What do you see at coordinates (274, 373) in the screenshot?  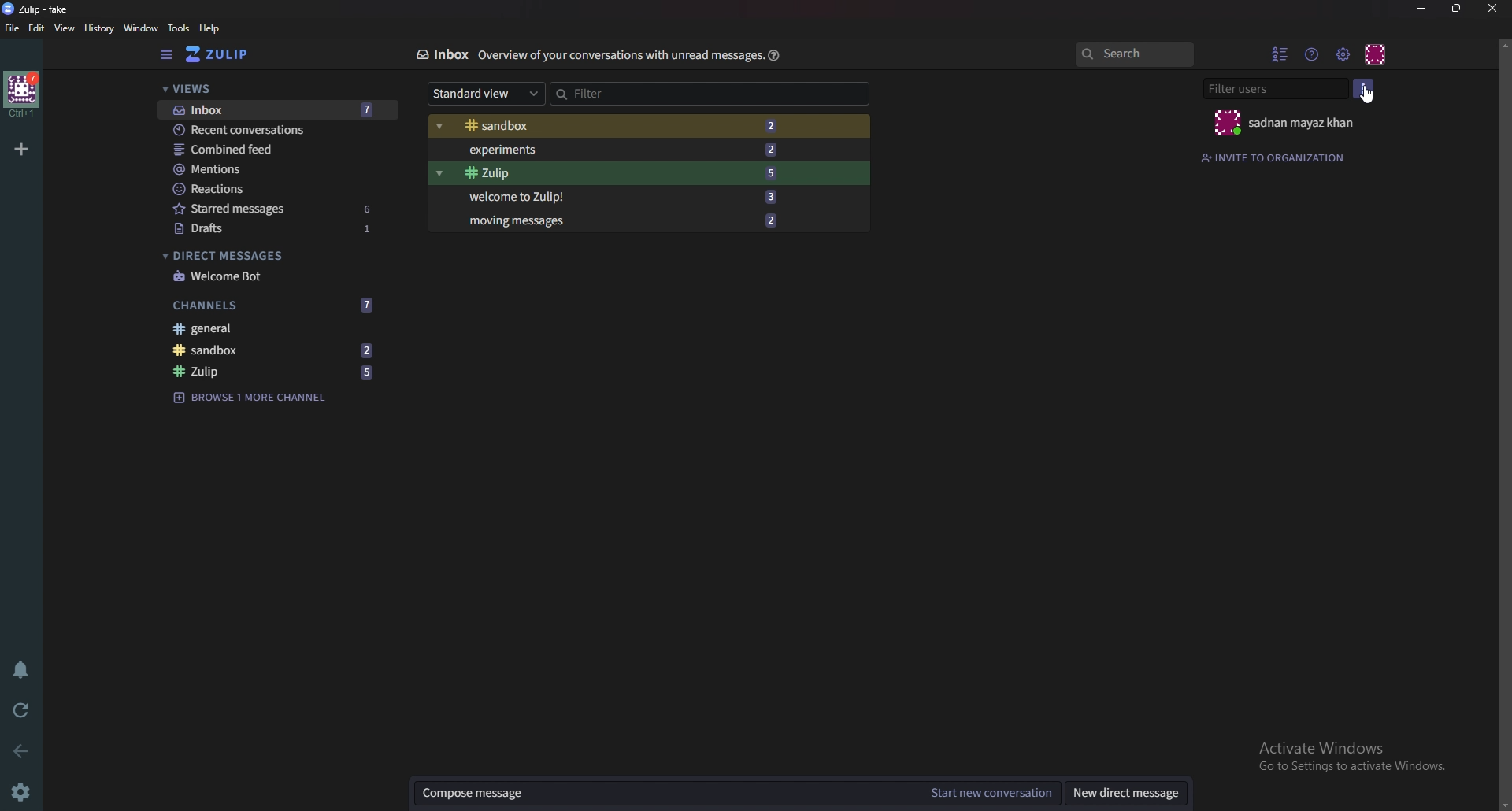 I see `Zulip` at bounding box center [274, 373].